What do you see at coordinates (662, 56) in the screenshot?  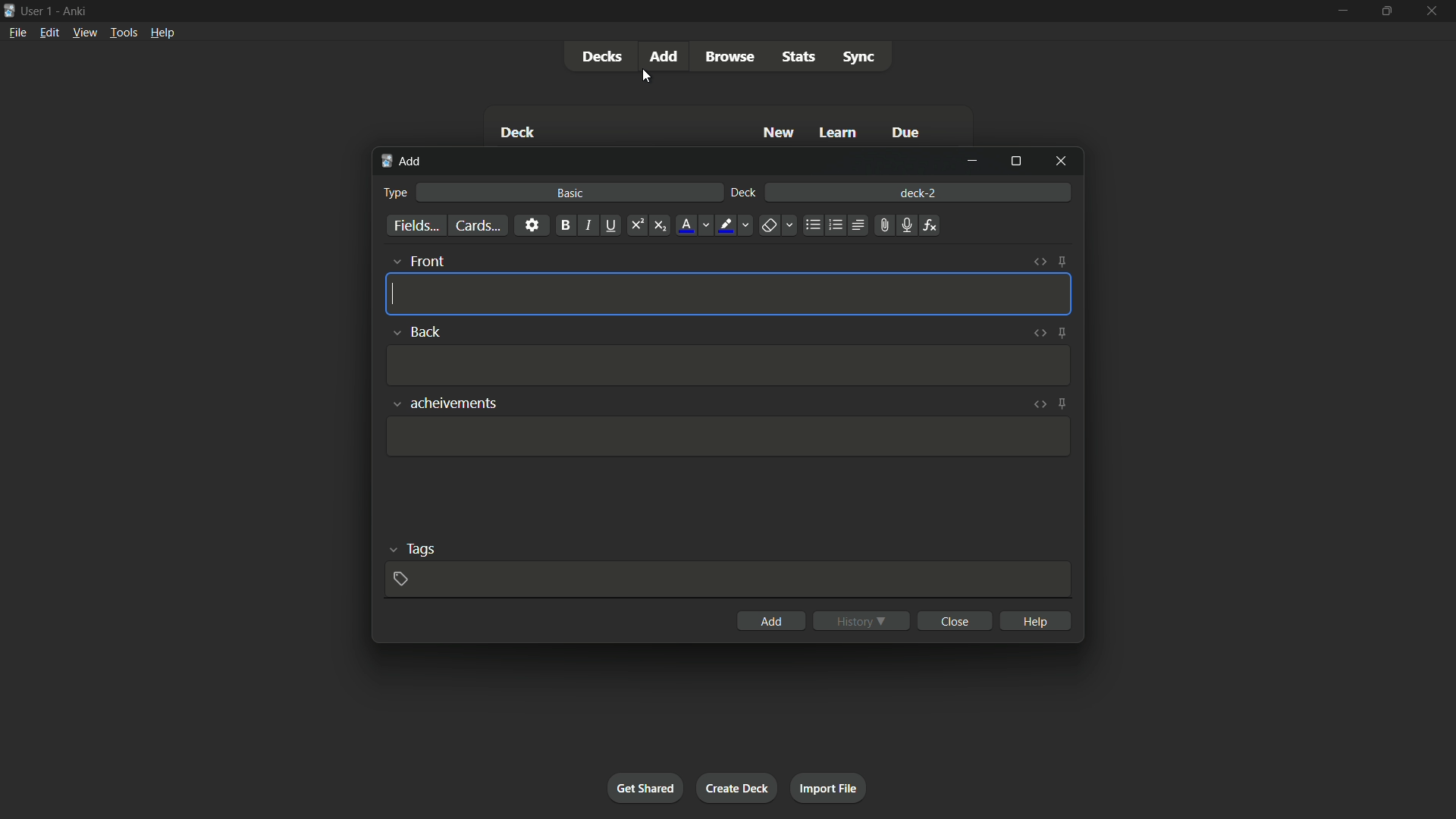 I see `add` at bounding box center [662, 56].